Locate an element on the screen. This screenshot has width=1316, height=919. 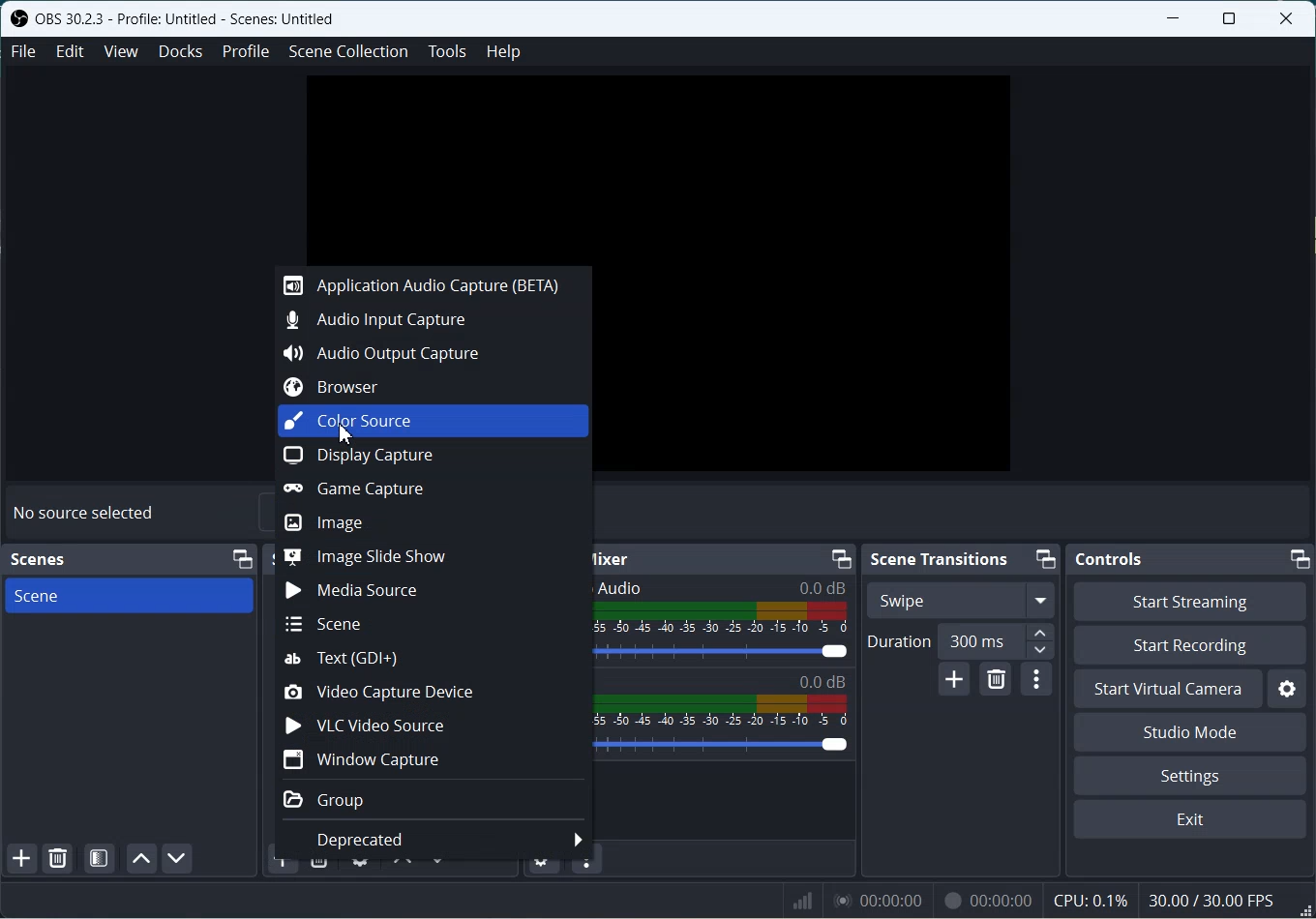
Scene is located at coordinates (433, 624).